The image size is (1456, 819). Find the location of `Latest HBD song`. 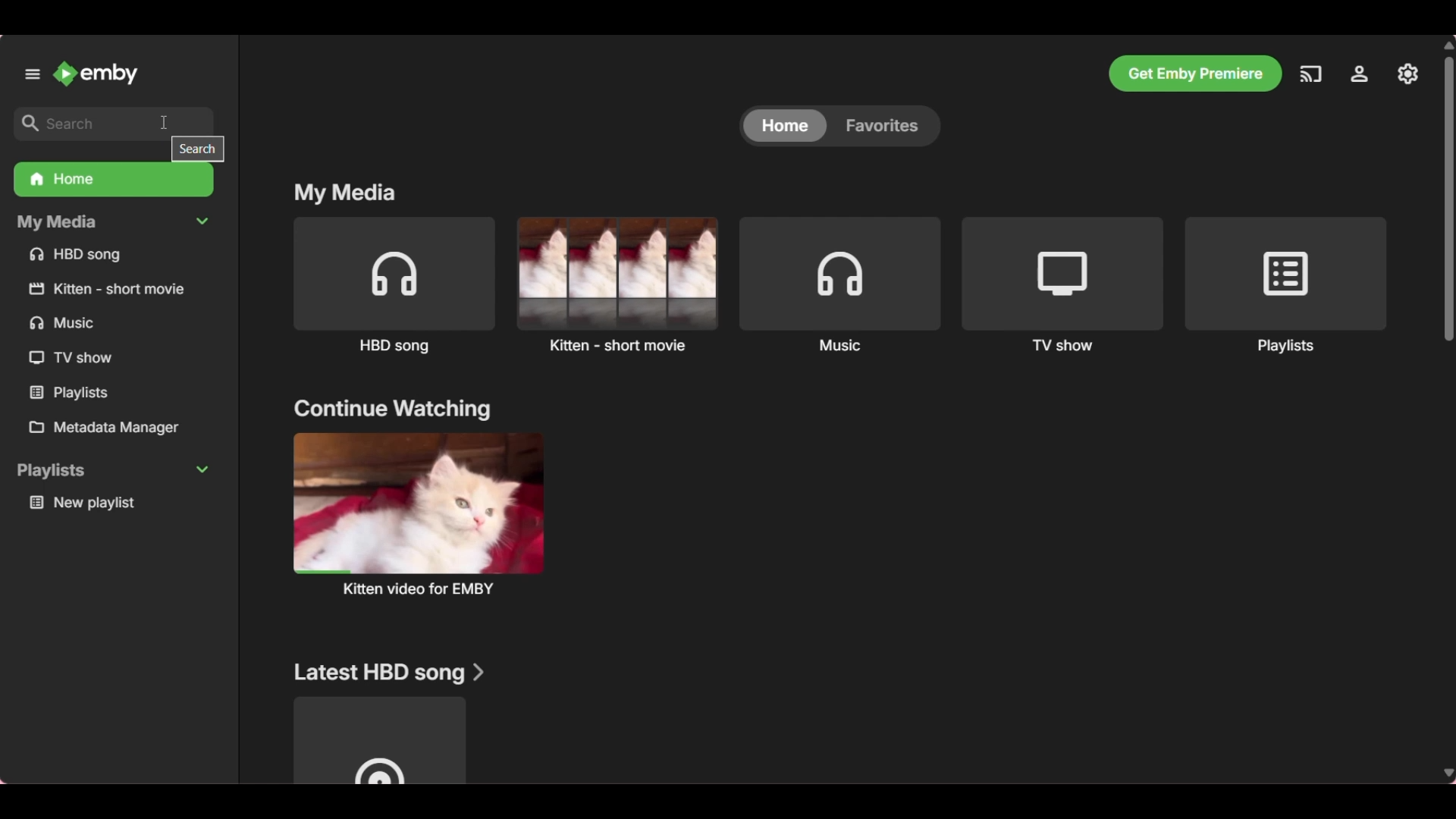

Latest HBD song is located at coordinates (390, 673).